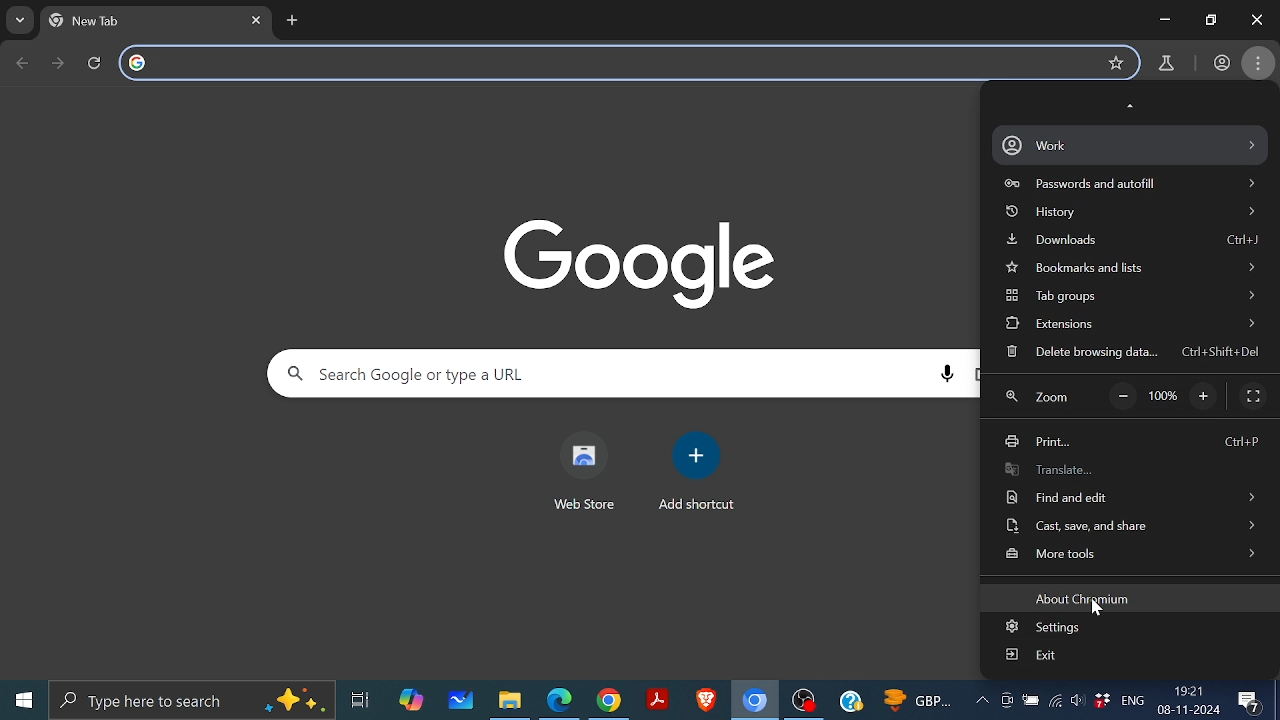 The height and width of the screenshot is (720, 1280). I want to click on Minimize, so click(1164, 20).